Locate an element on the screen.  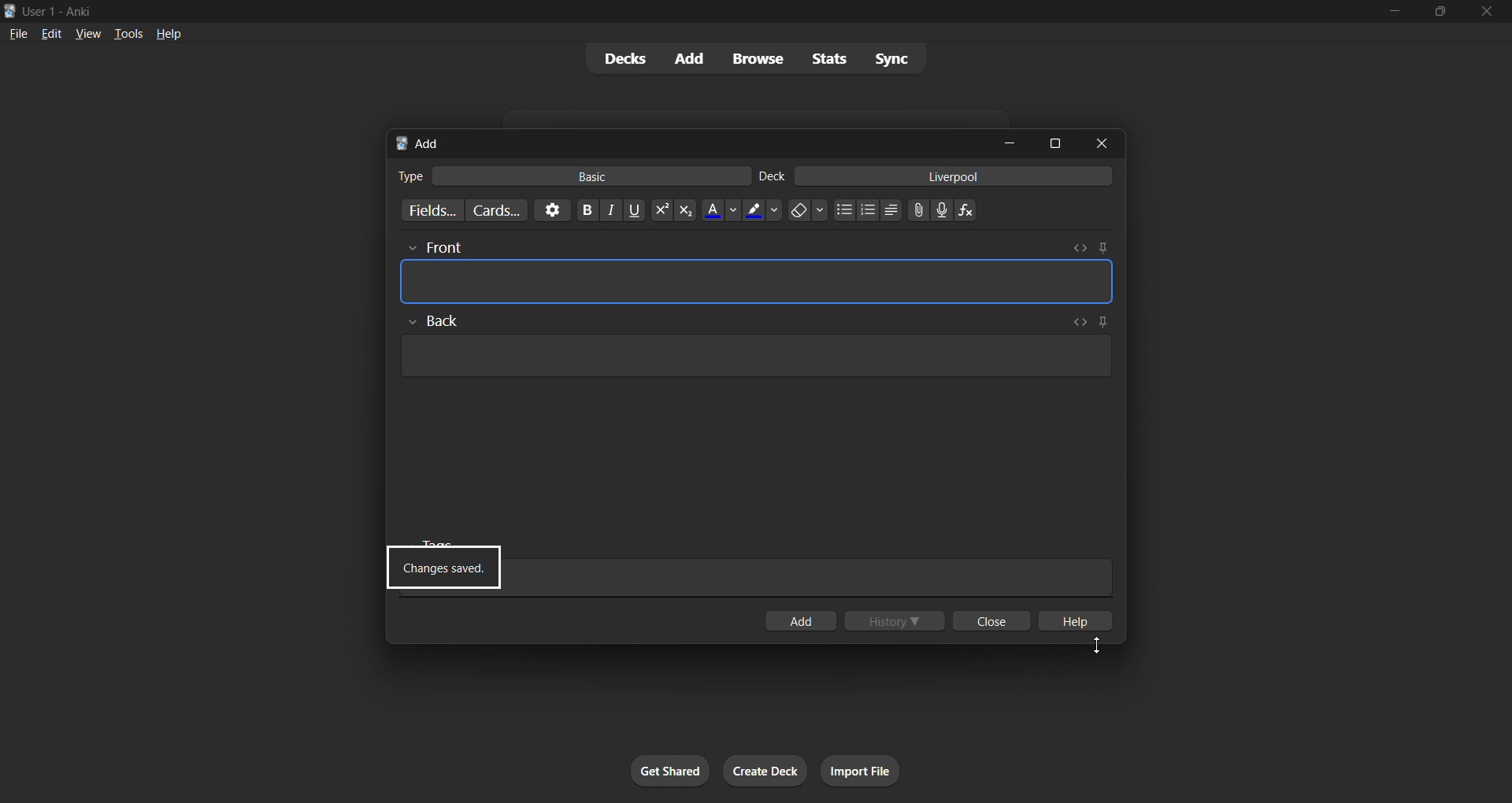
cards is located at coordinates (494, 210).